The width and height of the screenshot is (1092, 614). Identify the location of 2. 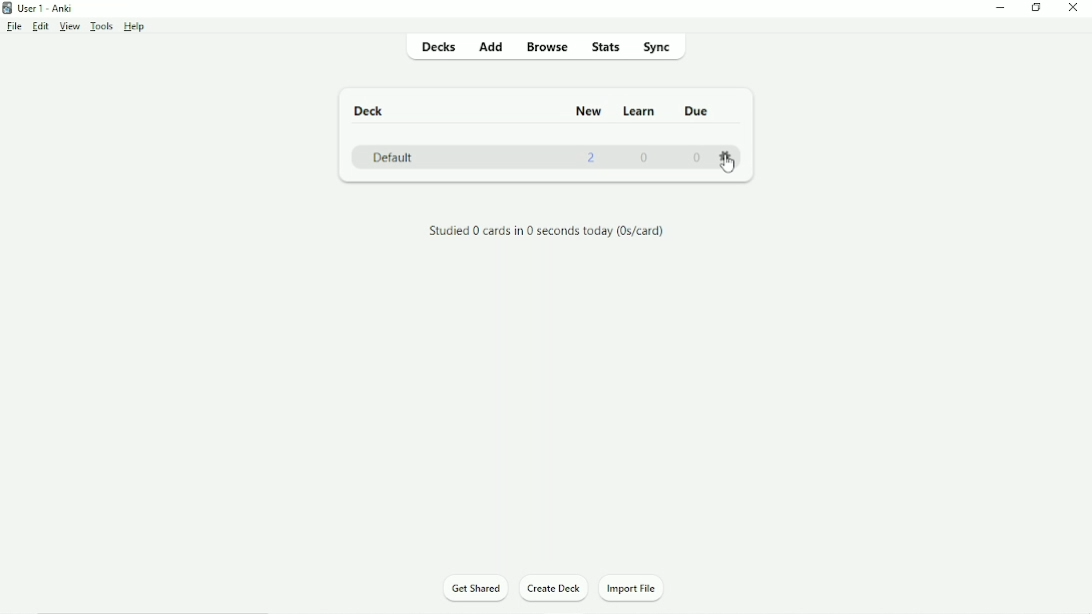
(593, 158).